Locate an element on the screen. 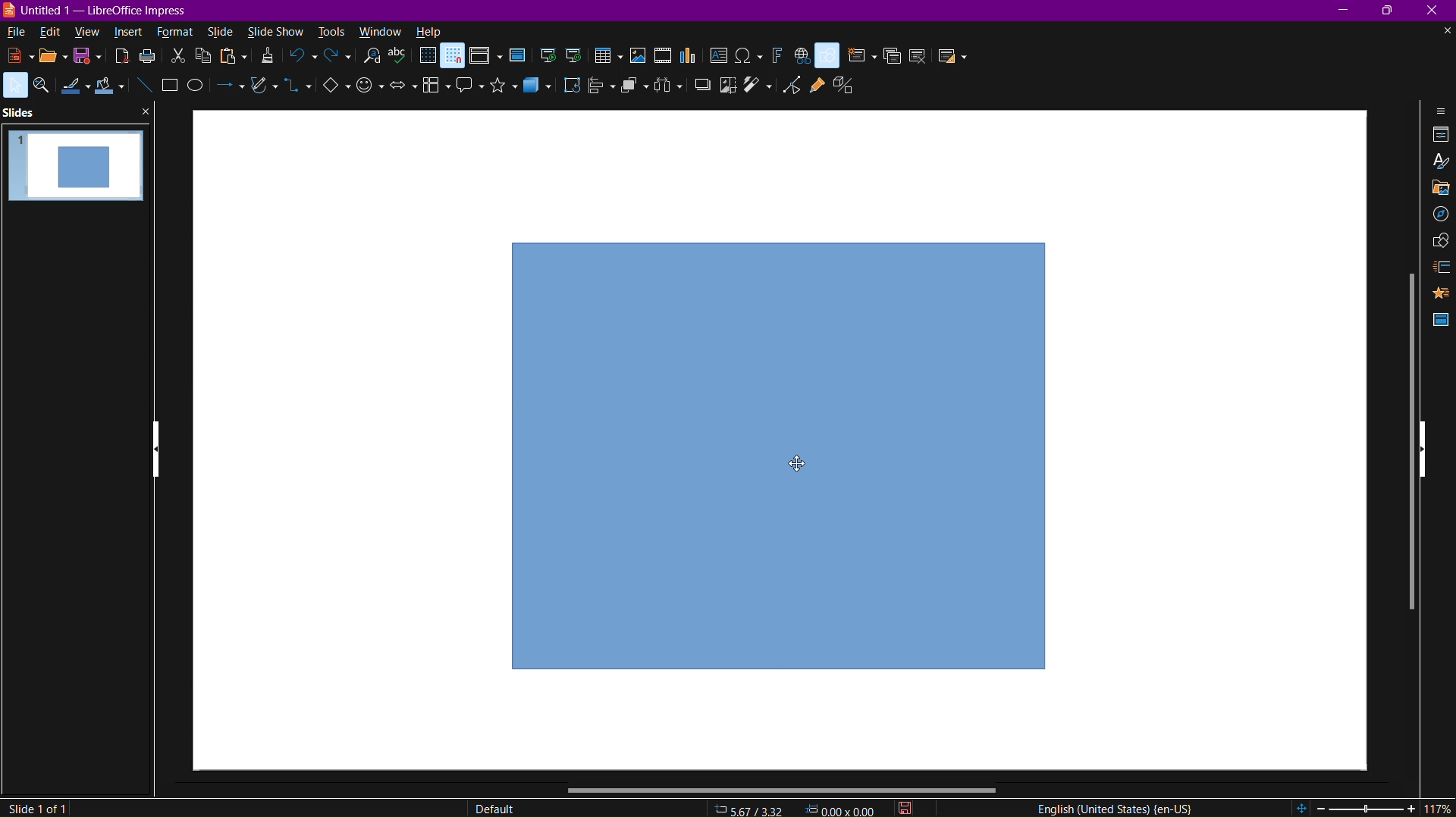 The width and height of the screenshot is (1456, 817). Stars and Banners is located at coordinates (499, 90).